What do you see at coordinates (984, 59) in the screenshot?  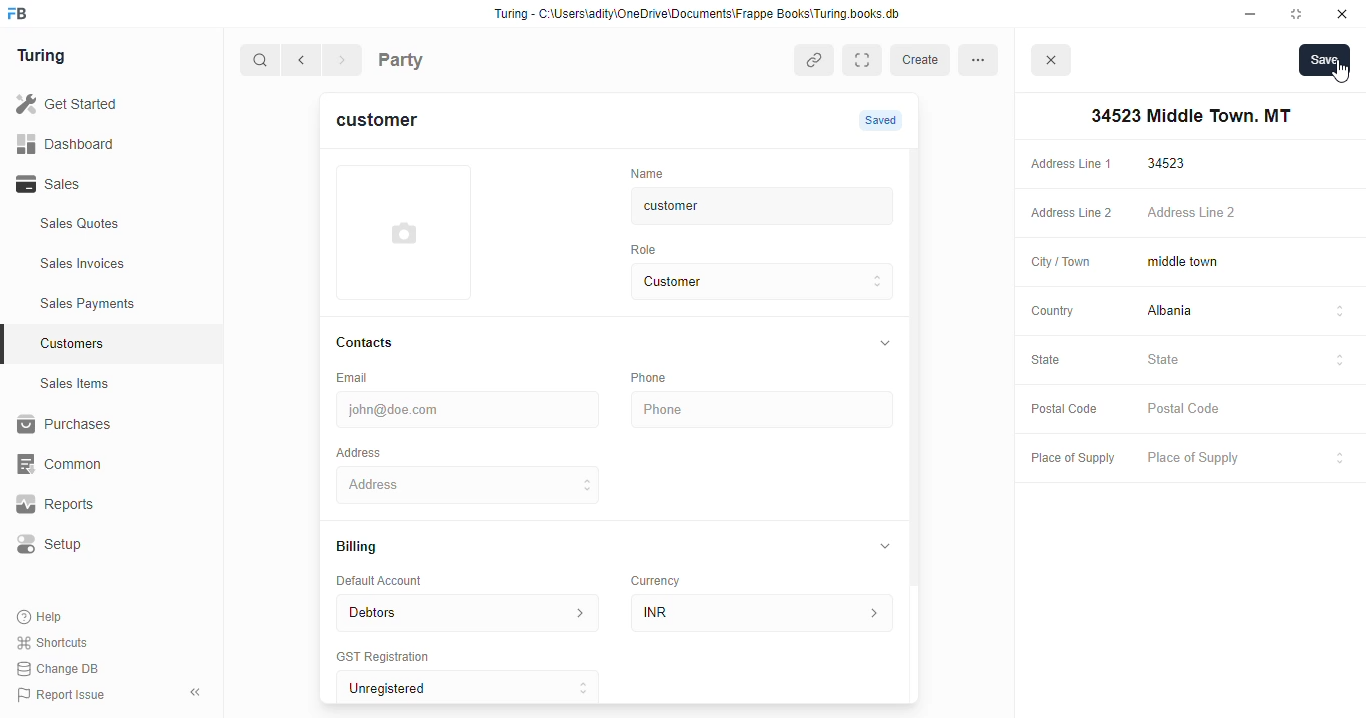 I see `more options` at bounding box center [984, 59].